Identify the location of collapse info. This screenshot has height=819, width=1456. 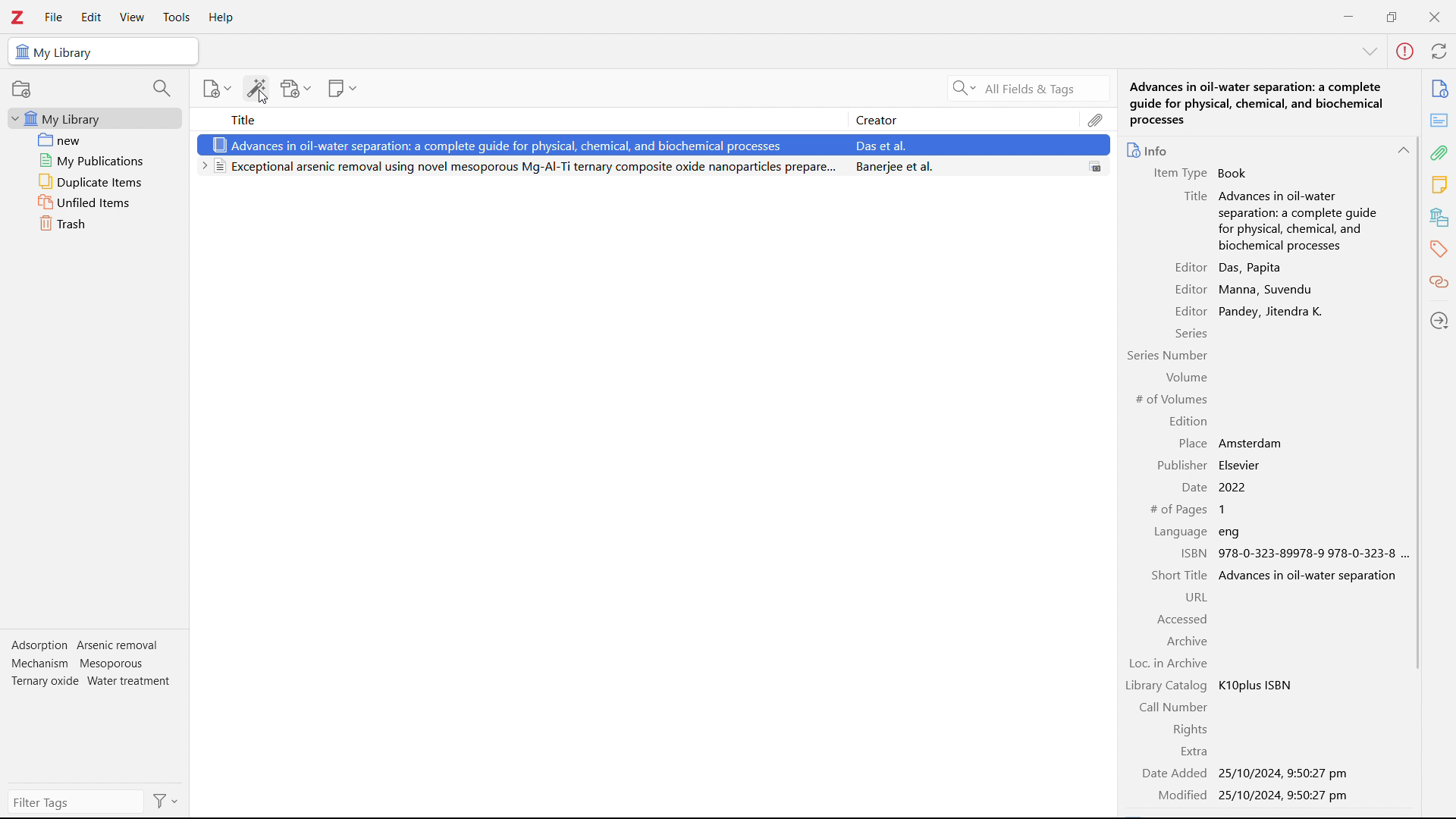
(1402, 151).